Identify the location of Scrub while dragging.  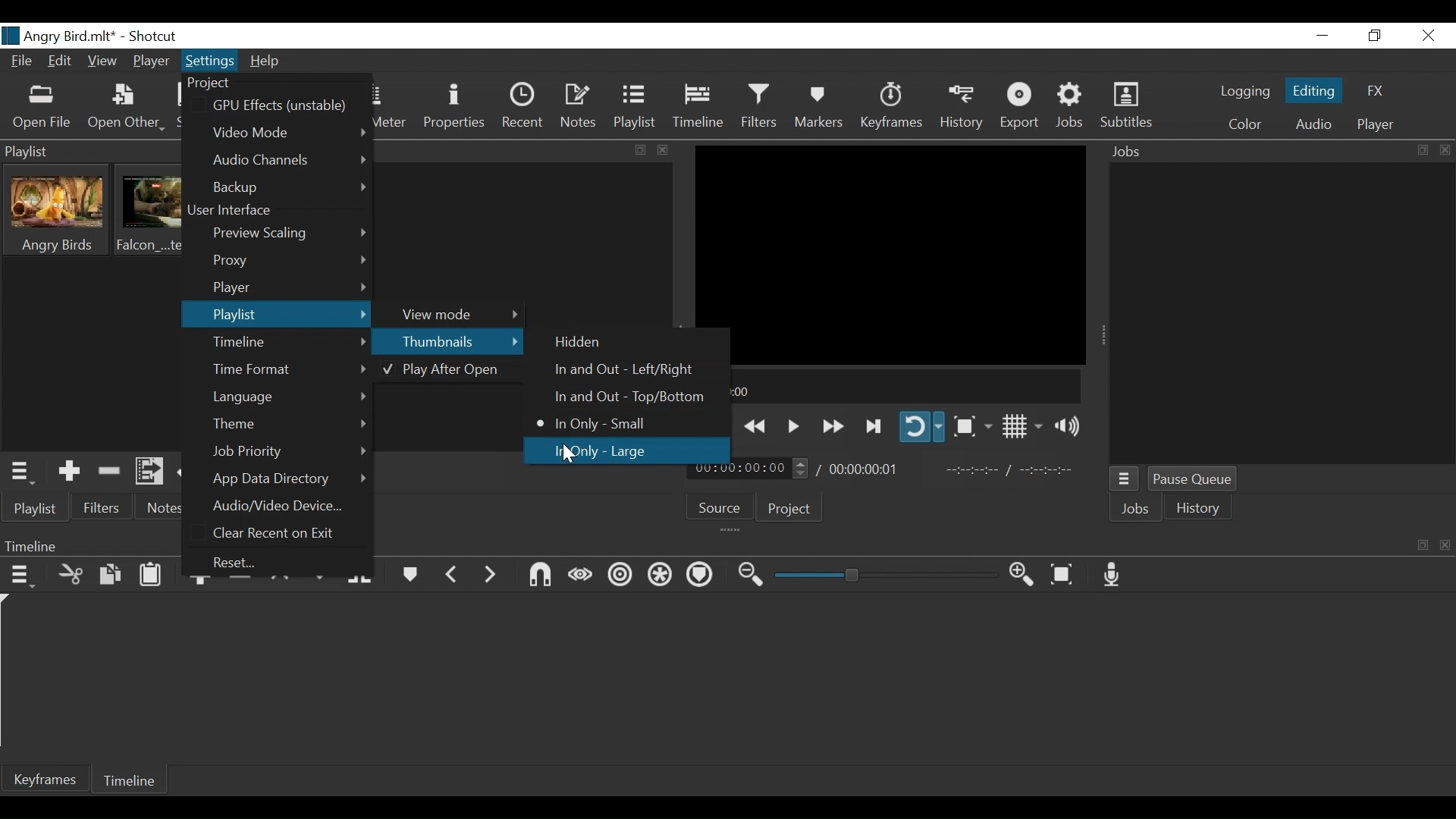
(581, 576).